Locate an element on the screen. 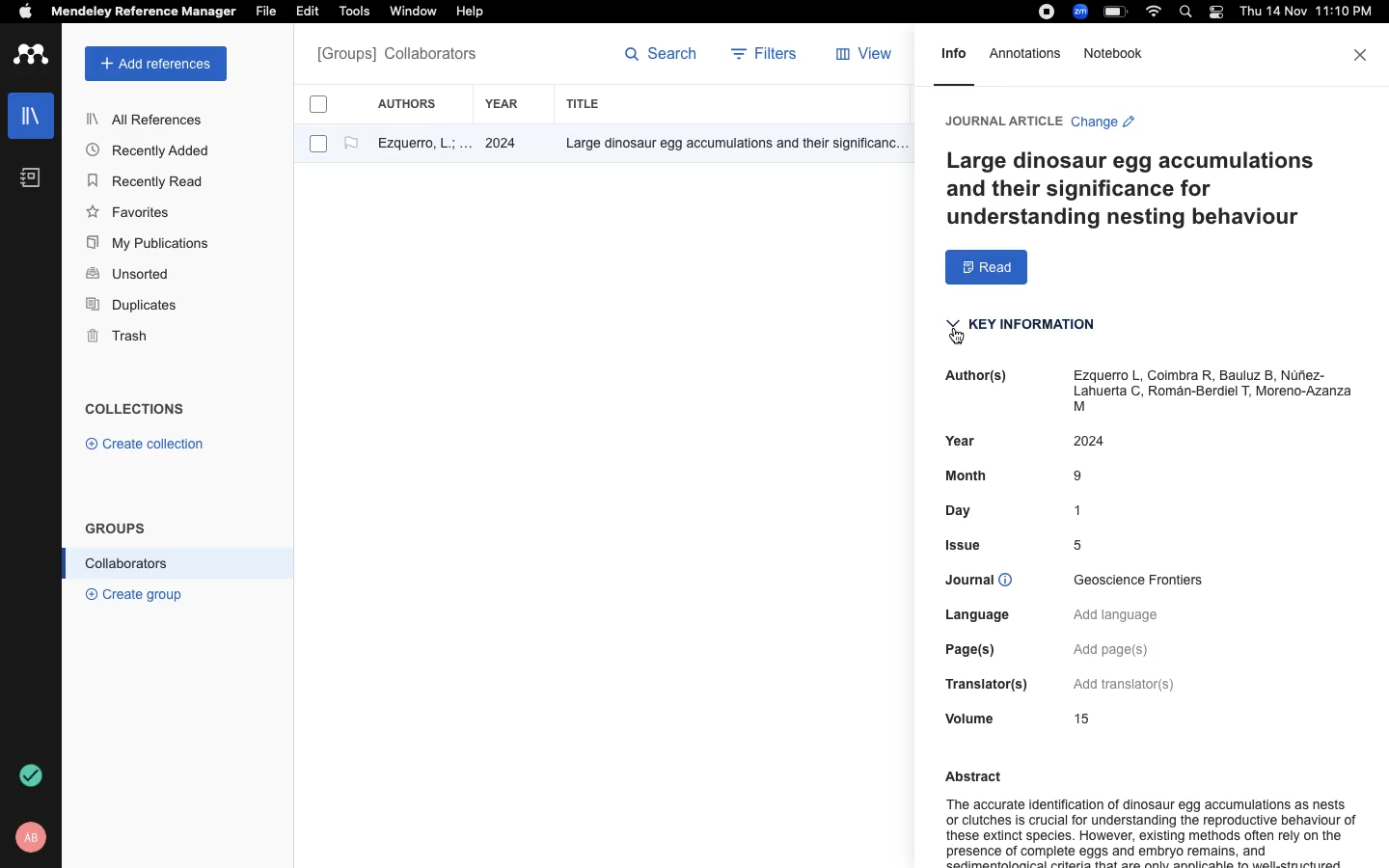  notebook is located at coordinates (31, 177).